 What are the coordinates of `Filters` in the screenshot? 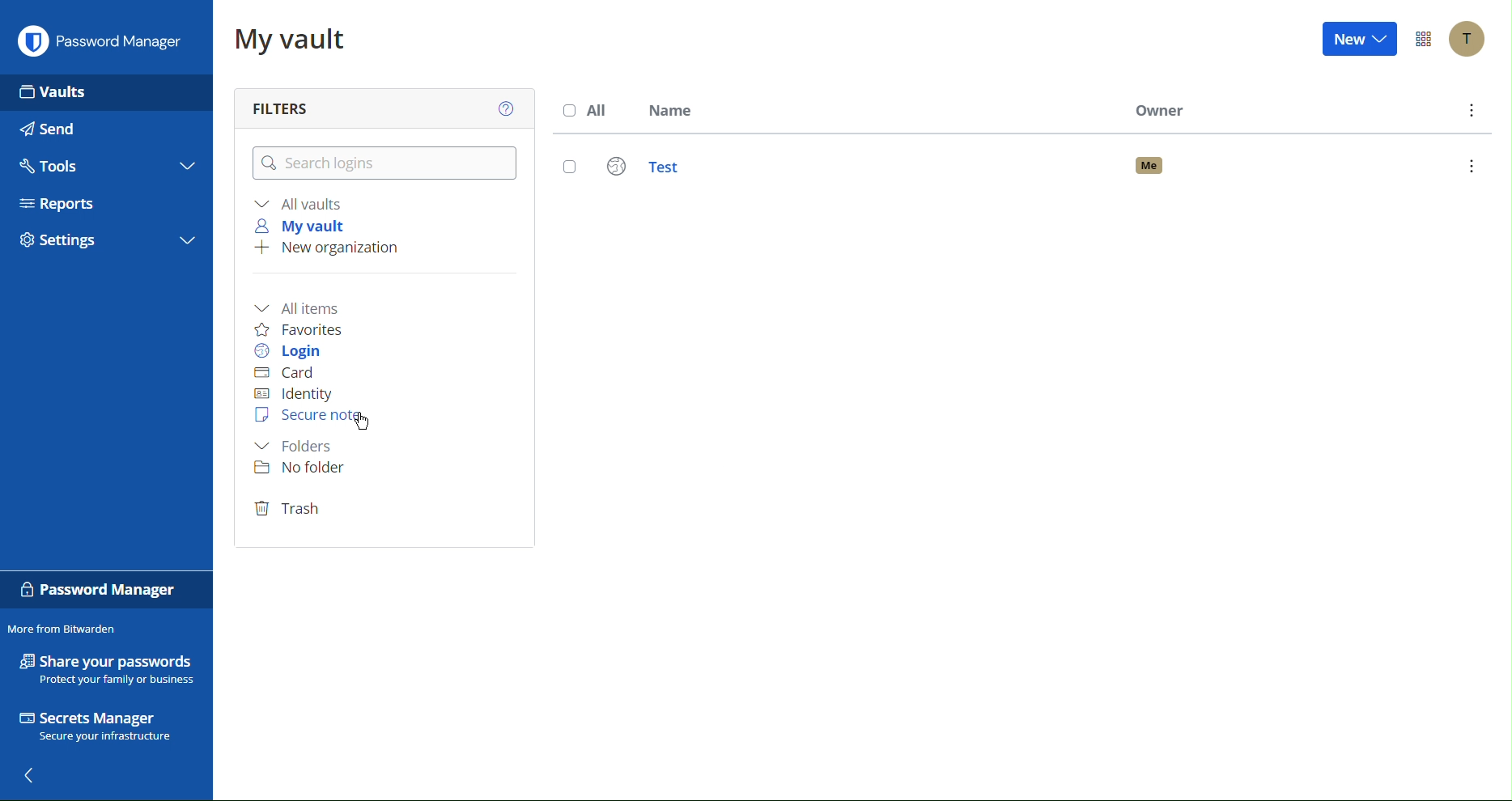 It's located at (291, 104).